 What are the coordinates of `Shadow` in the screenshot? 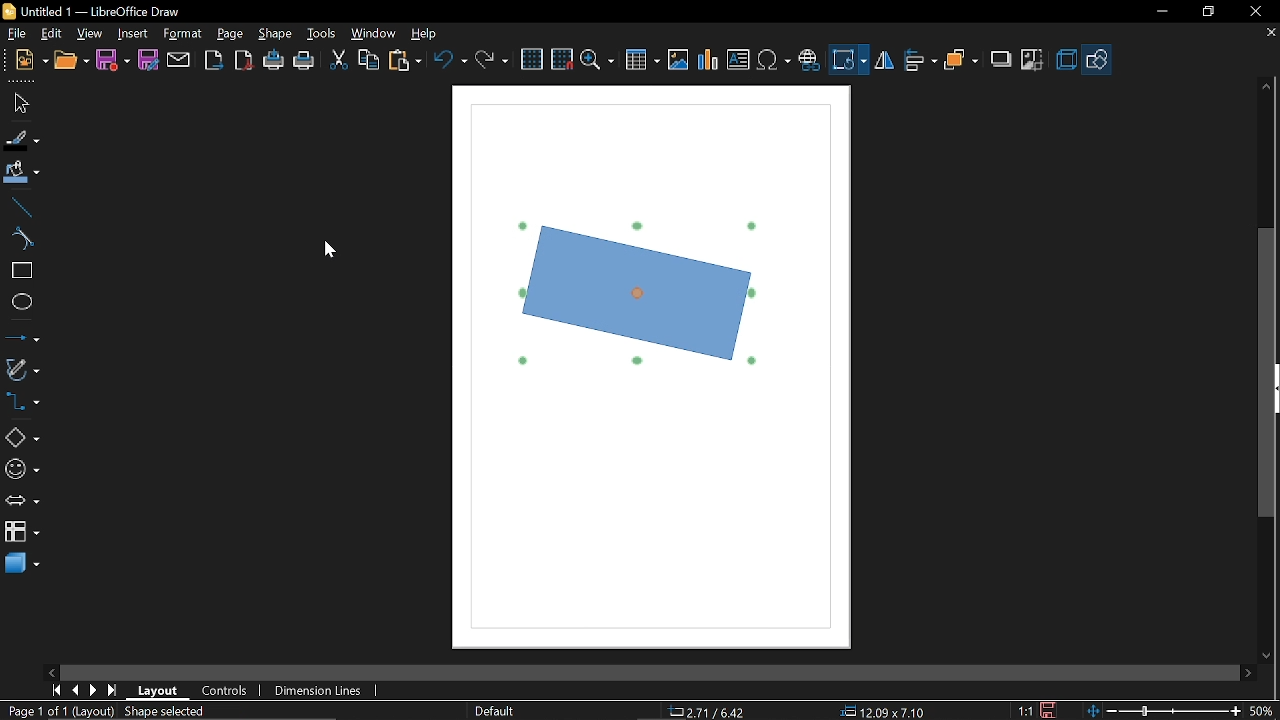 It's located at (998, 60).